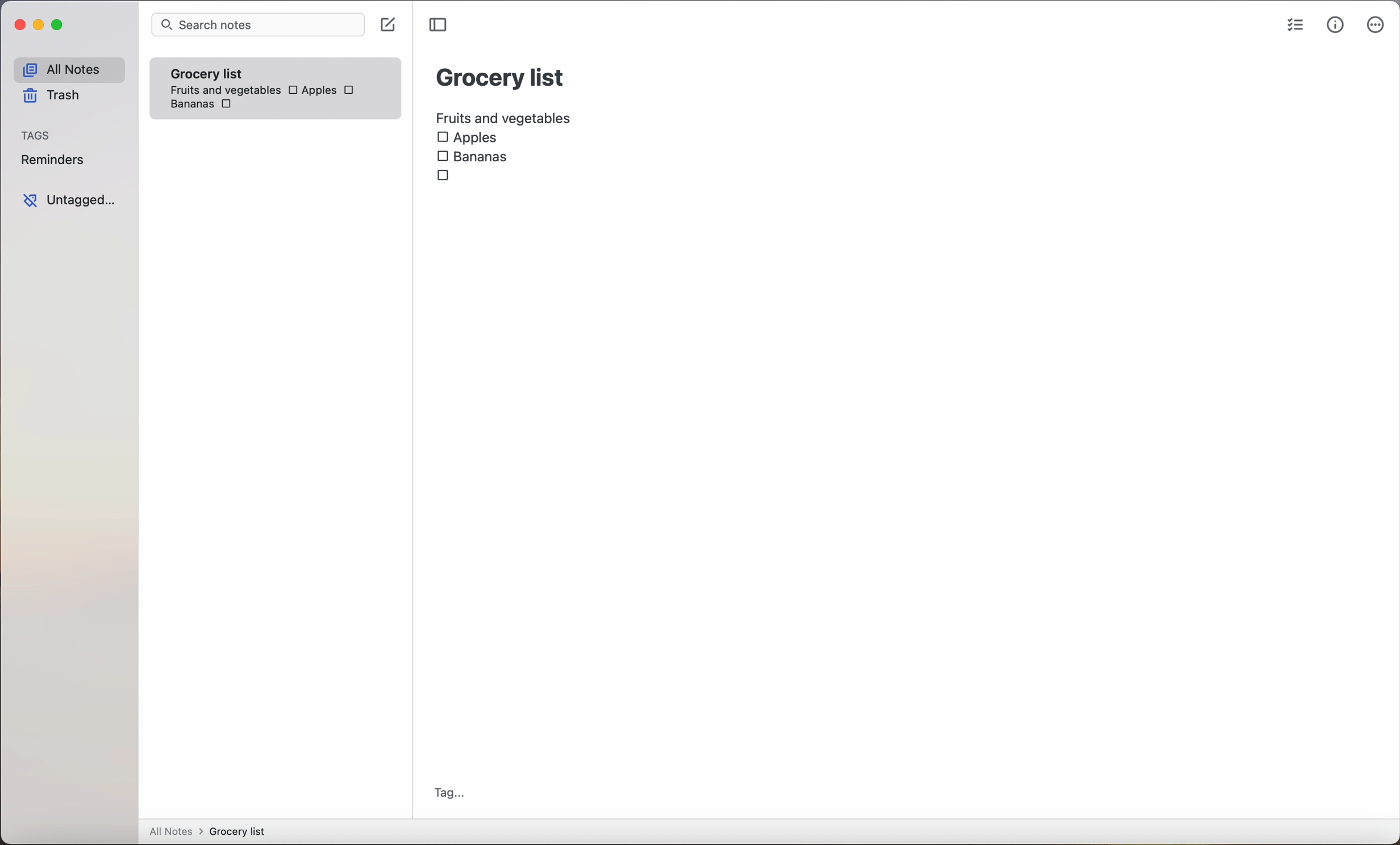 This screenshot has width=1400, height=845. I want to click on all notes, so click(68, 70).